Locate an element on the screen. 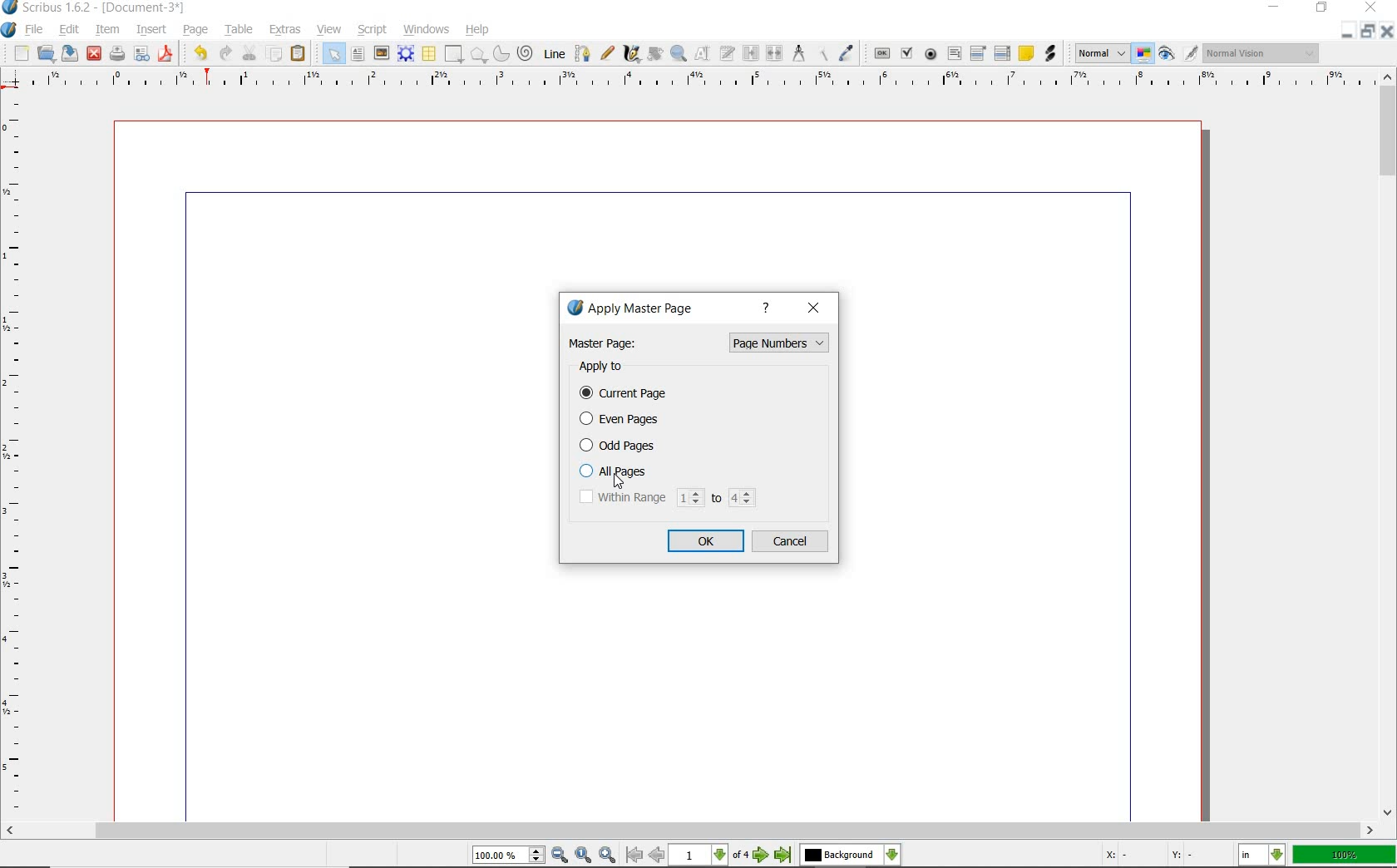 The height and width of the screenshot is (868, 1397). Zoom 100.00% is located at coordinates (508, 855).